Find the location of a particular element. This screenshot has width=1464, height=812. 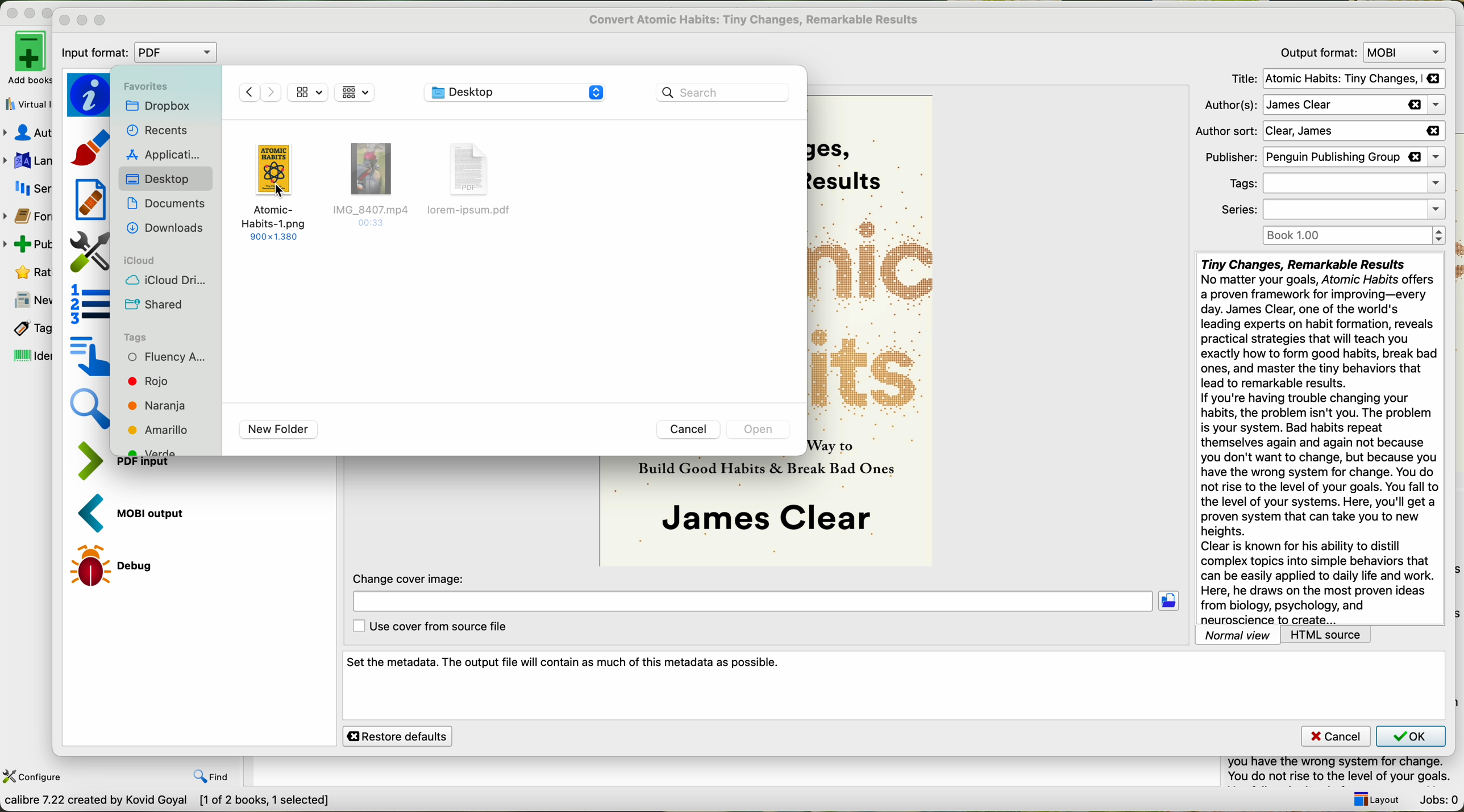

MOBI output is located at coordinates (138, 514).